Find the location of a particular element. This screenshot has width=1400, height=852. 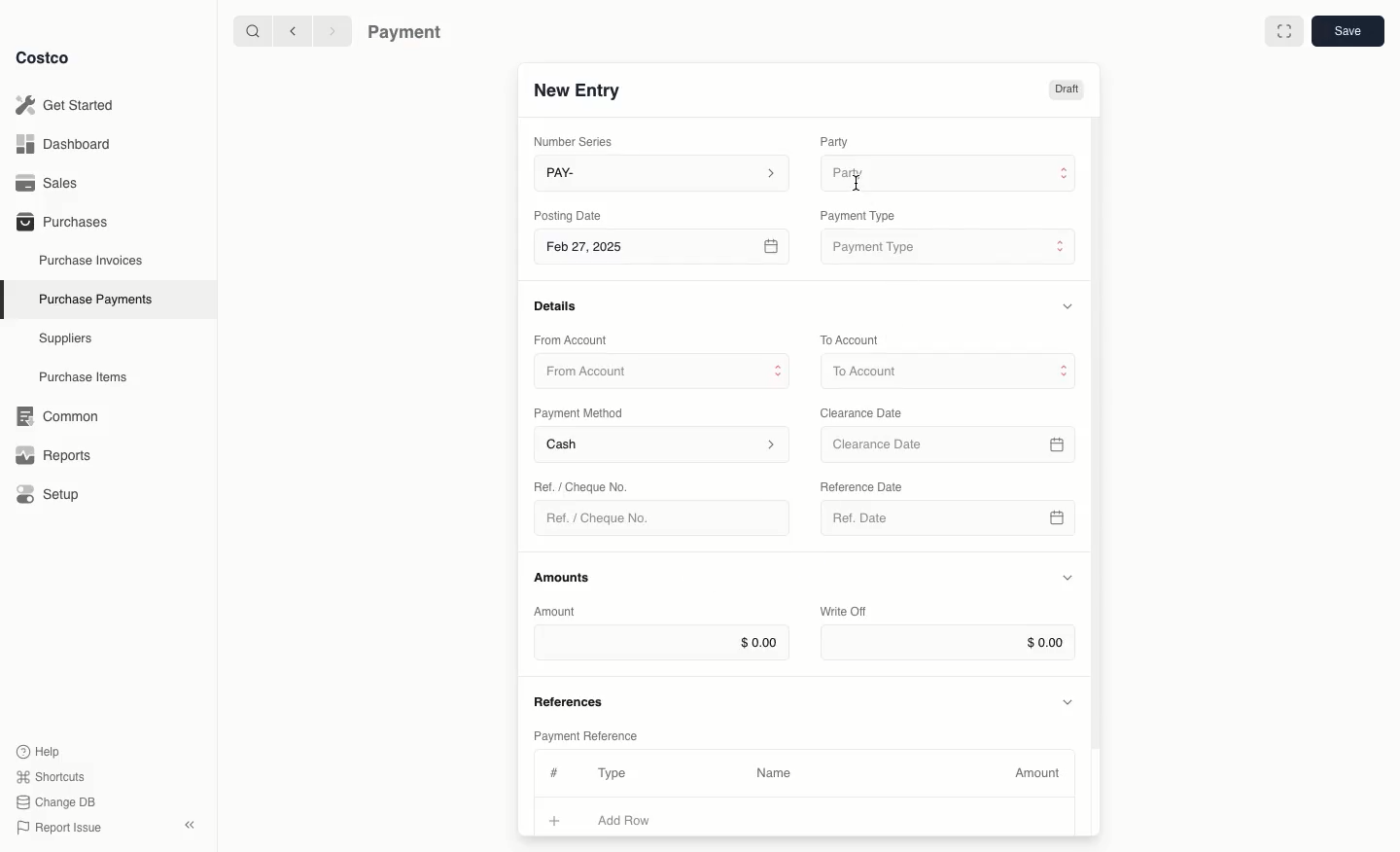

$0.00 is located at coordinates (661, 642).